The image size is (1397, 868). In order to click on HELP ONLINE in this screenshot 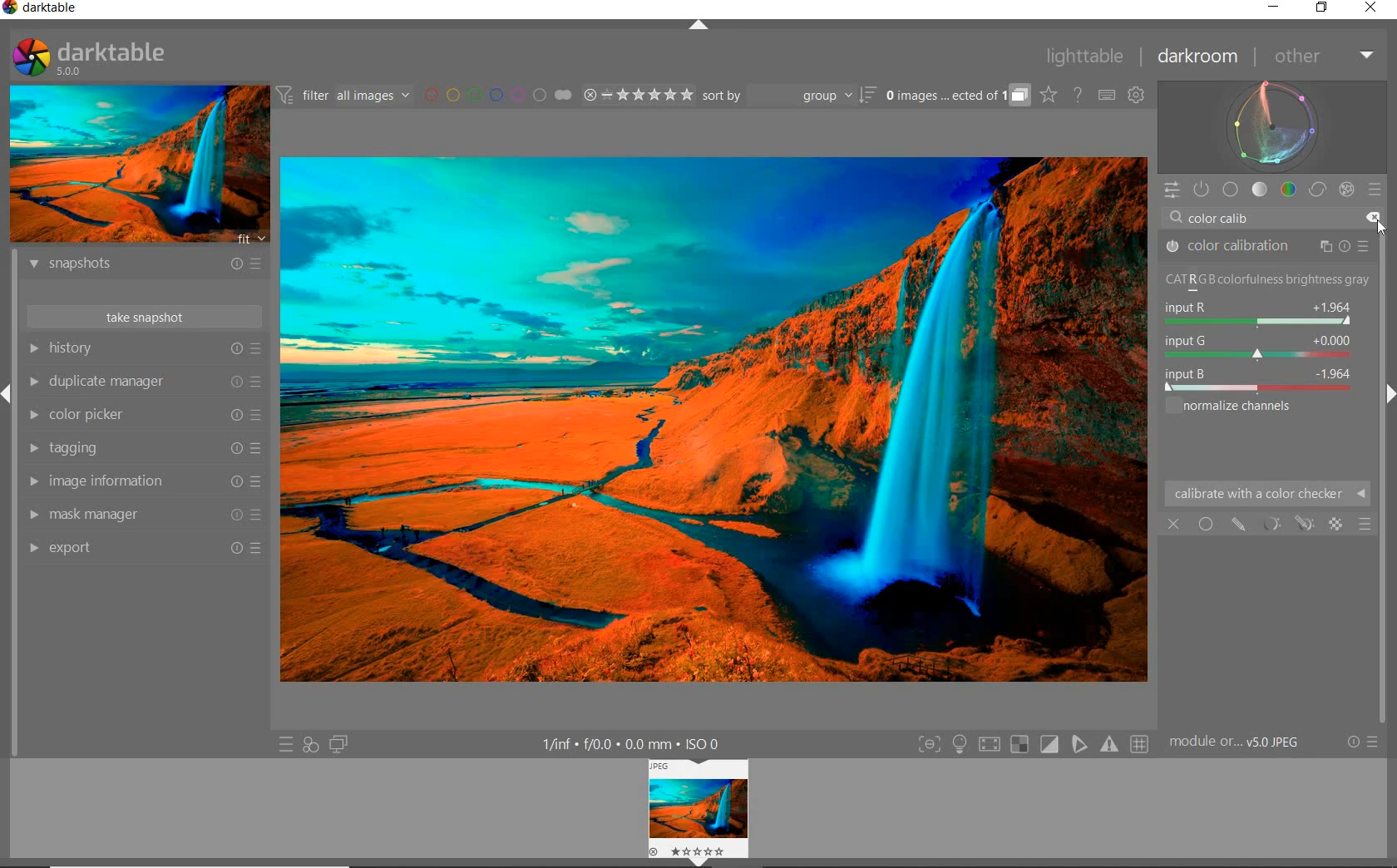, I will do `click(1078, 95)`.